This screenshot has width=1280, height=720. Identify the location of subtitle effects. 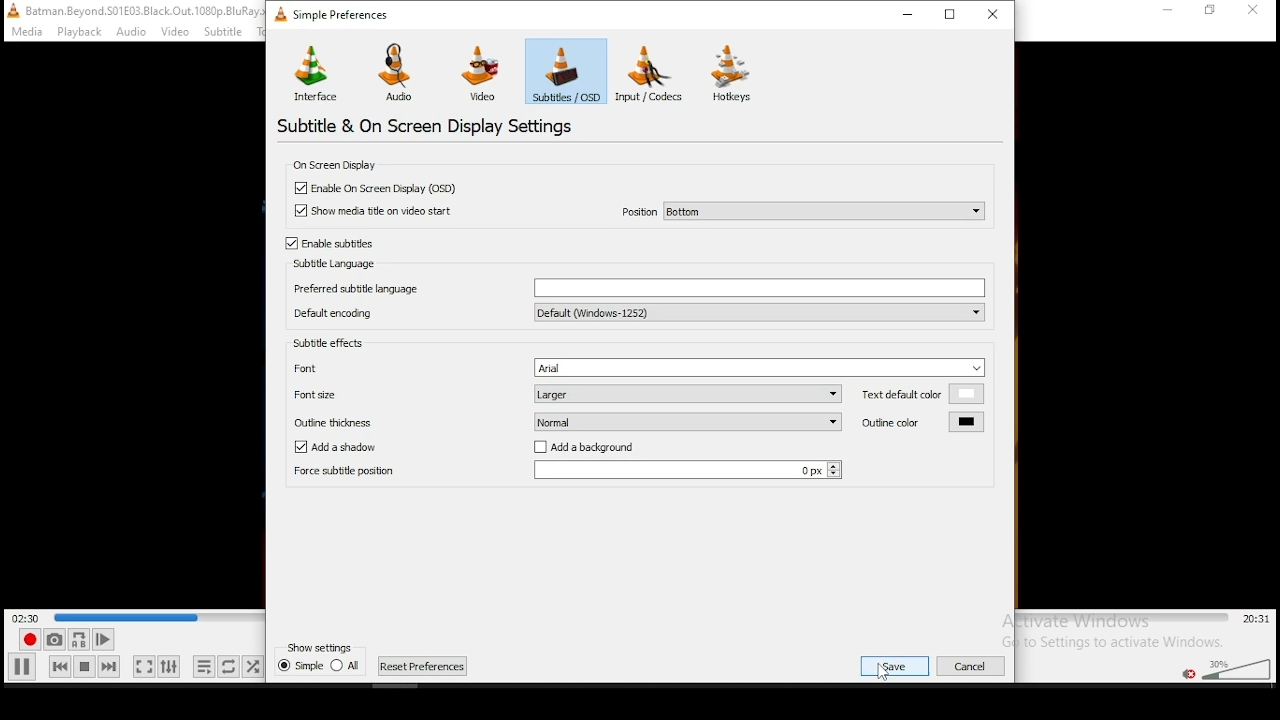
(328, 342).